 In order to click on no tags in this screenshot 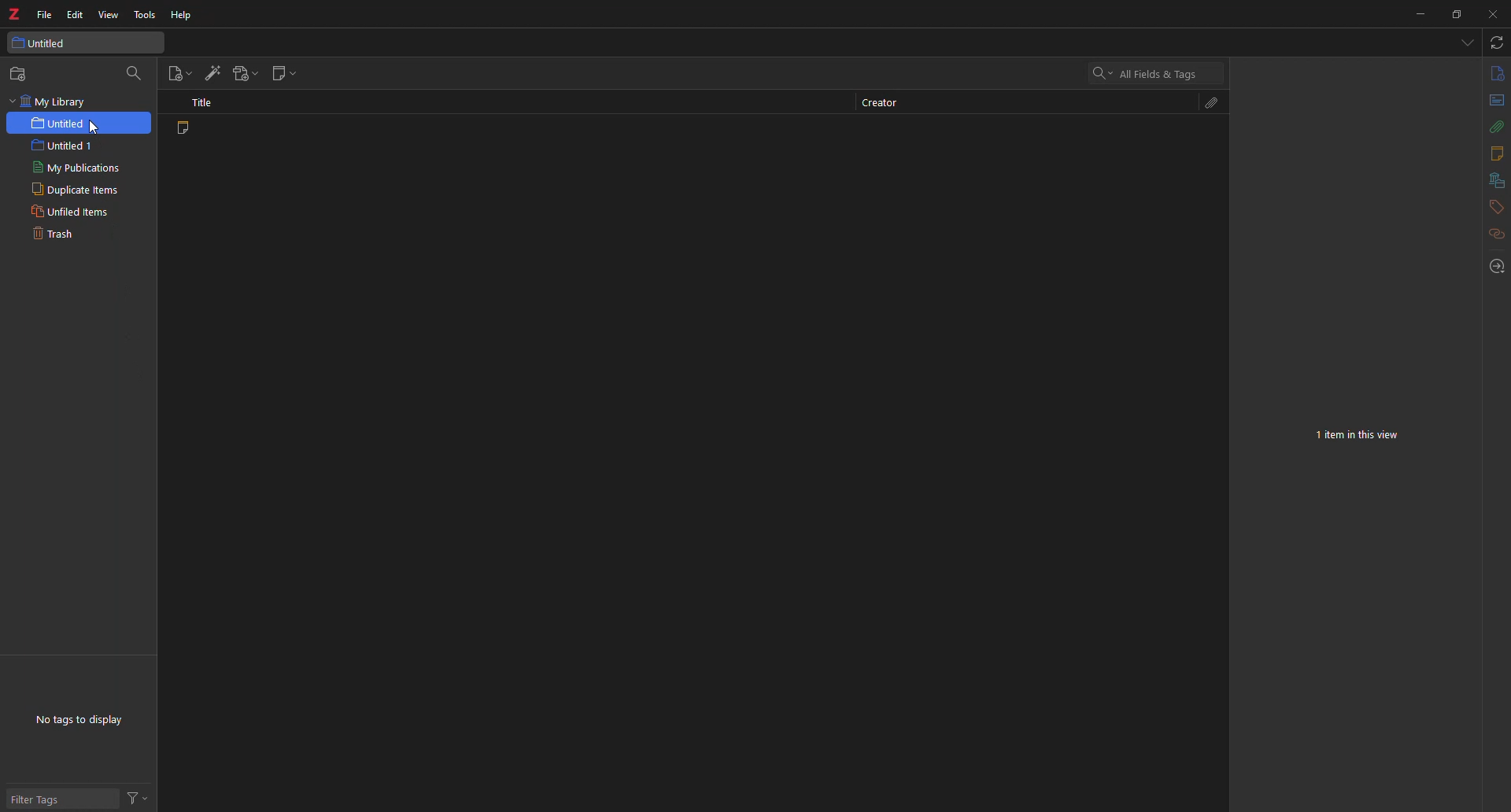, I will do `click(87, 718)`.